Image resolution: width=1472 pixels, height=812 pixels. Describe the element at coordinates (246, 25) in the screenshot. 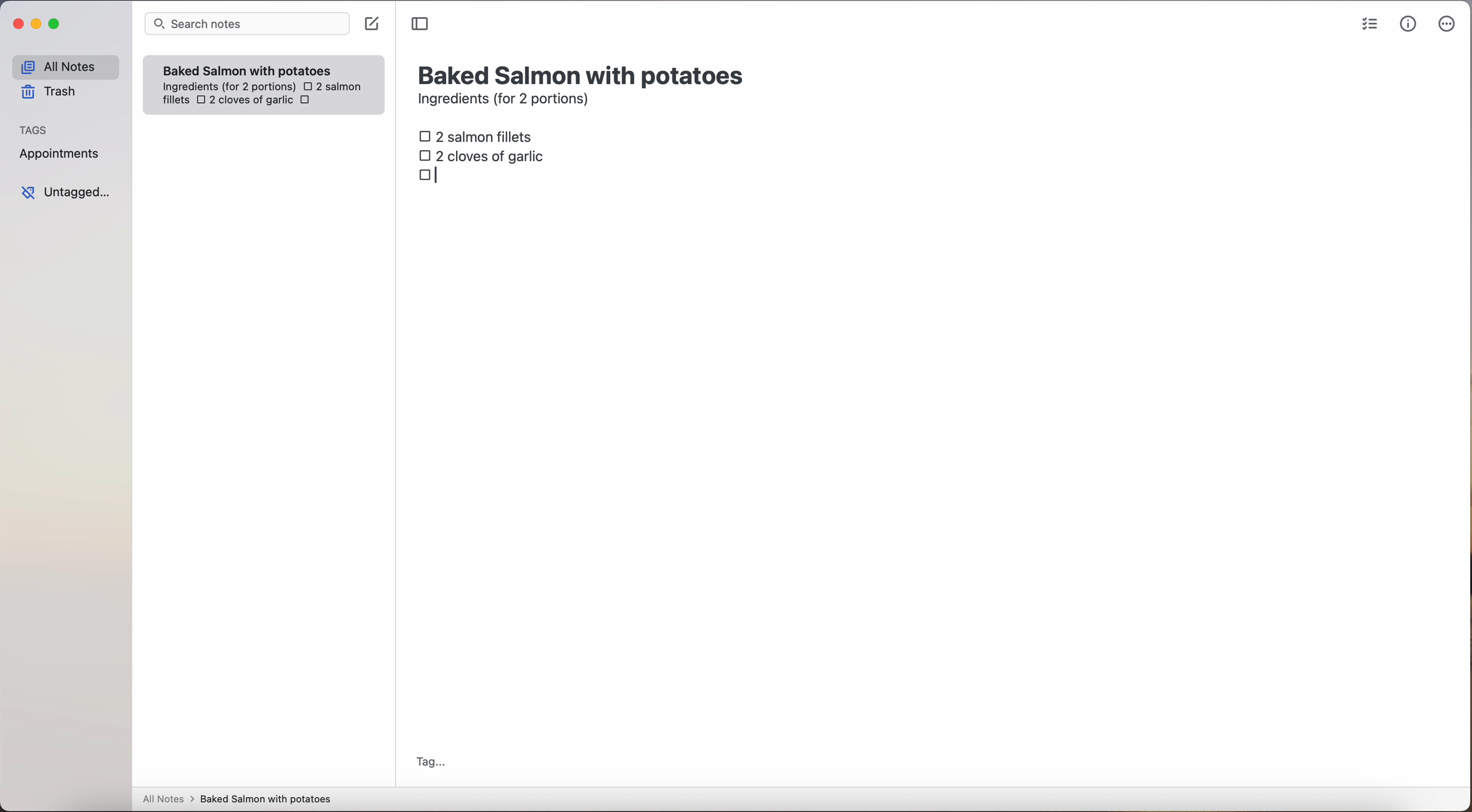

I see `search bar` at that location.